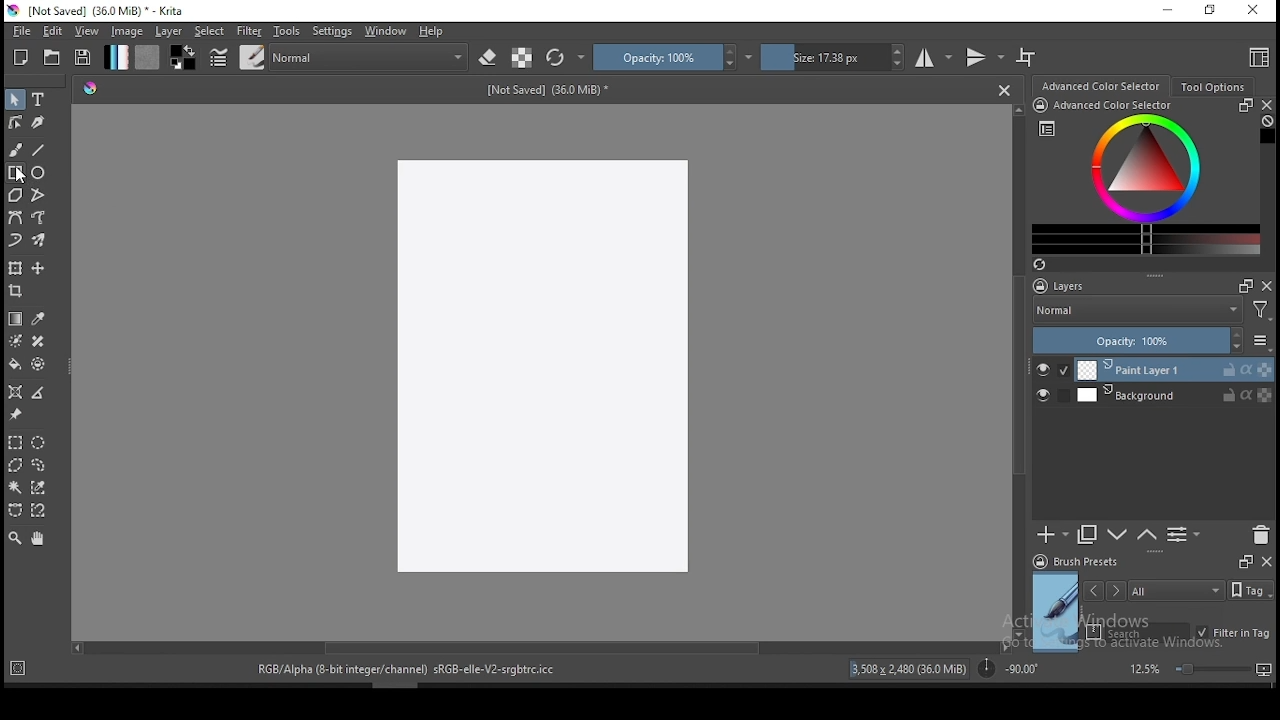 Image resolution: width=1280 pixels, height=720 pixels. What do you see at coordinates (1267, 123) in the screenshot?
I see `Clear` at bounding box center [1267, 123].